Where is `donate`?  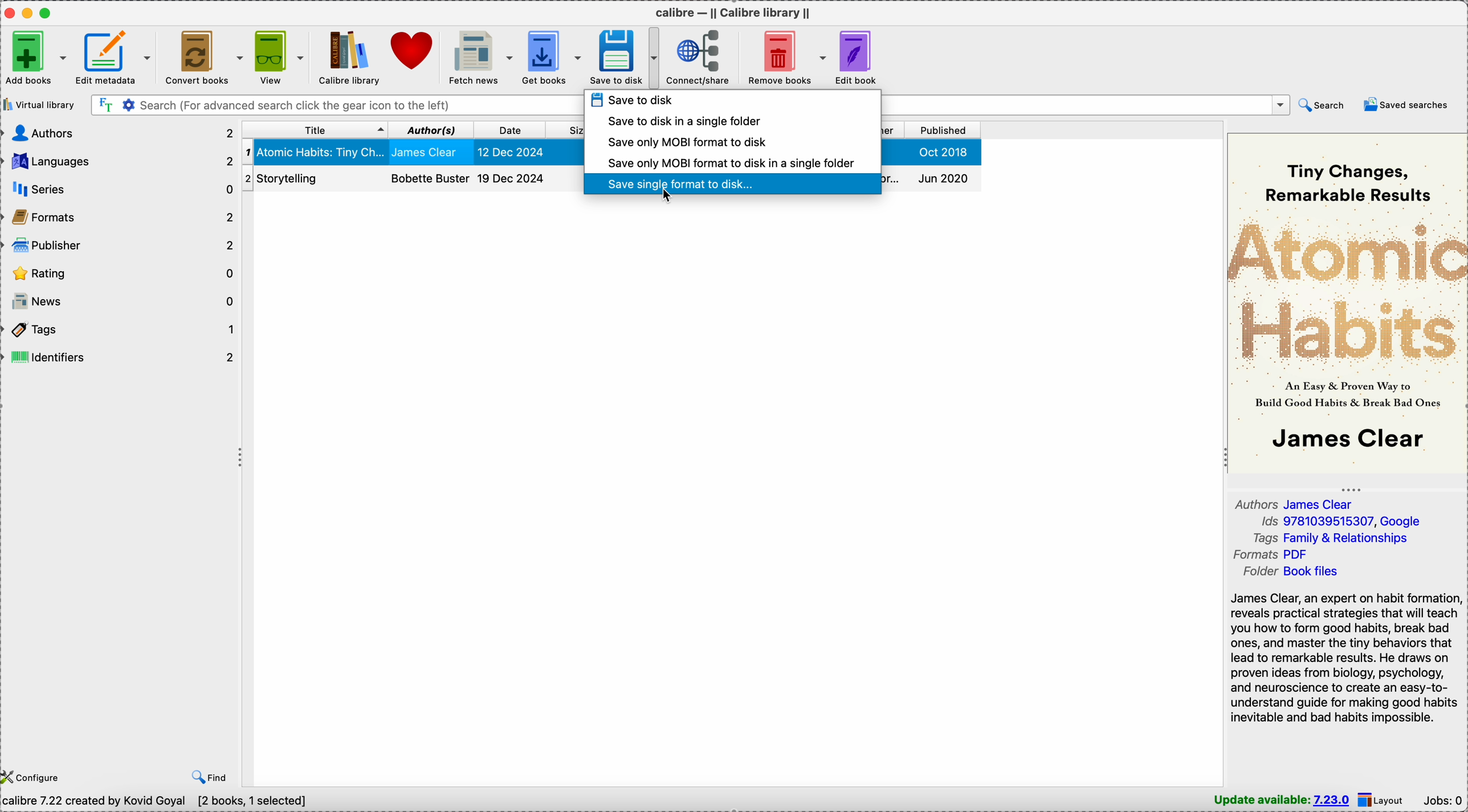 donate is located at coordinates (413, 51).